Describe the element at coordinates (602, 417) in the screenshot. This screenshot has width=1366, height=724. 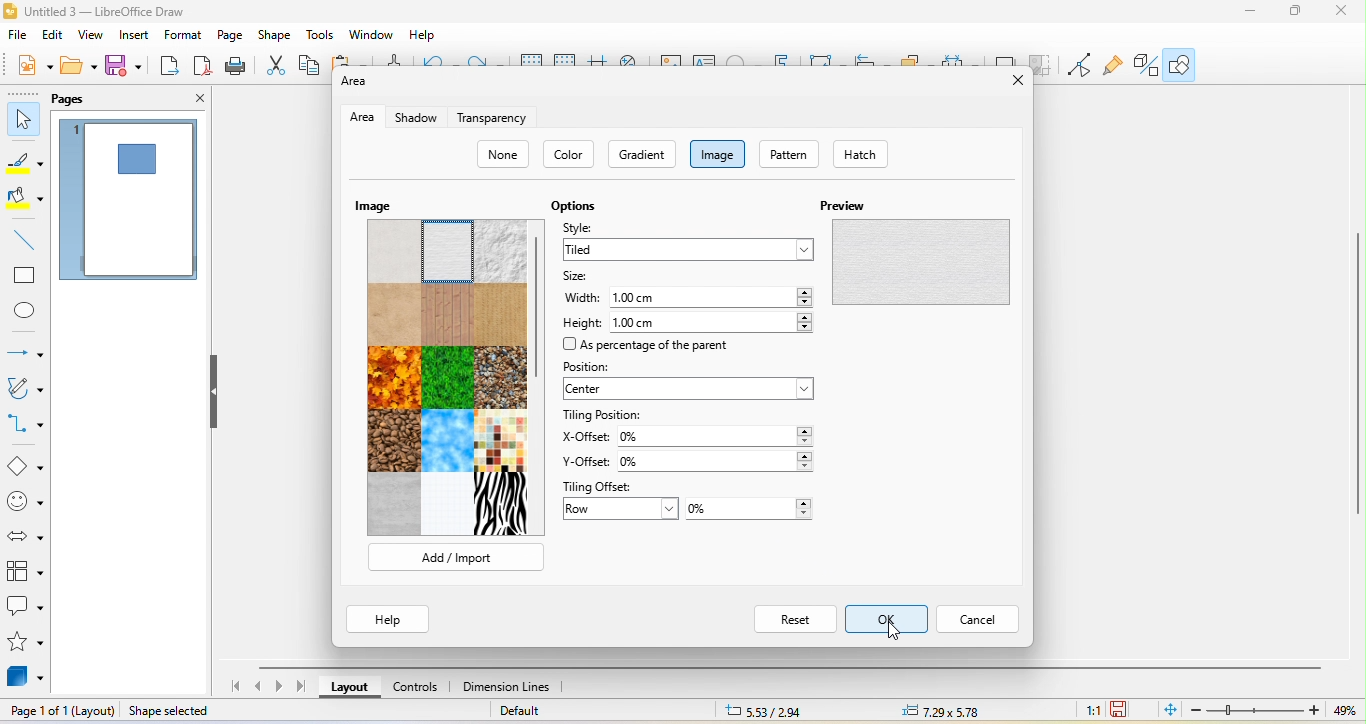
I see `tilling position` at that location.